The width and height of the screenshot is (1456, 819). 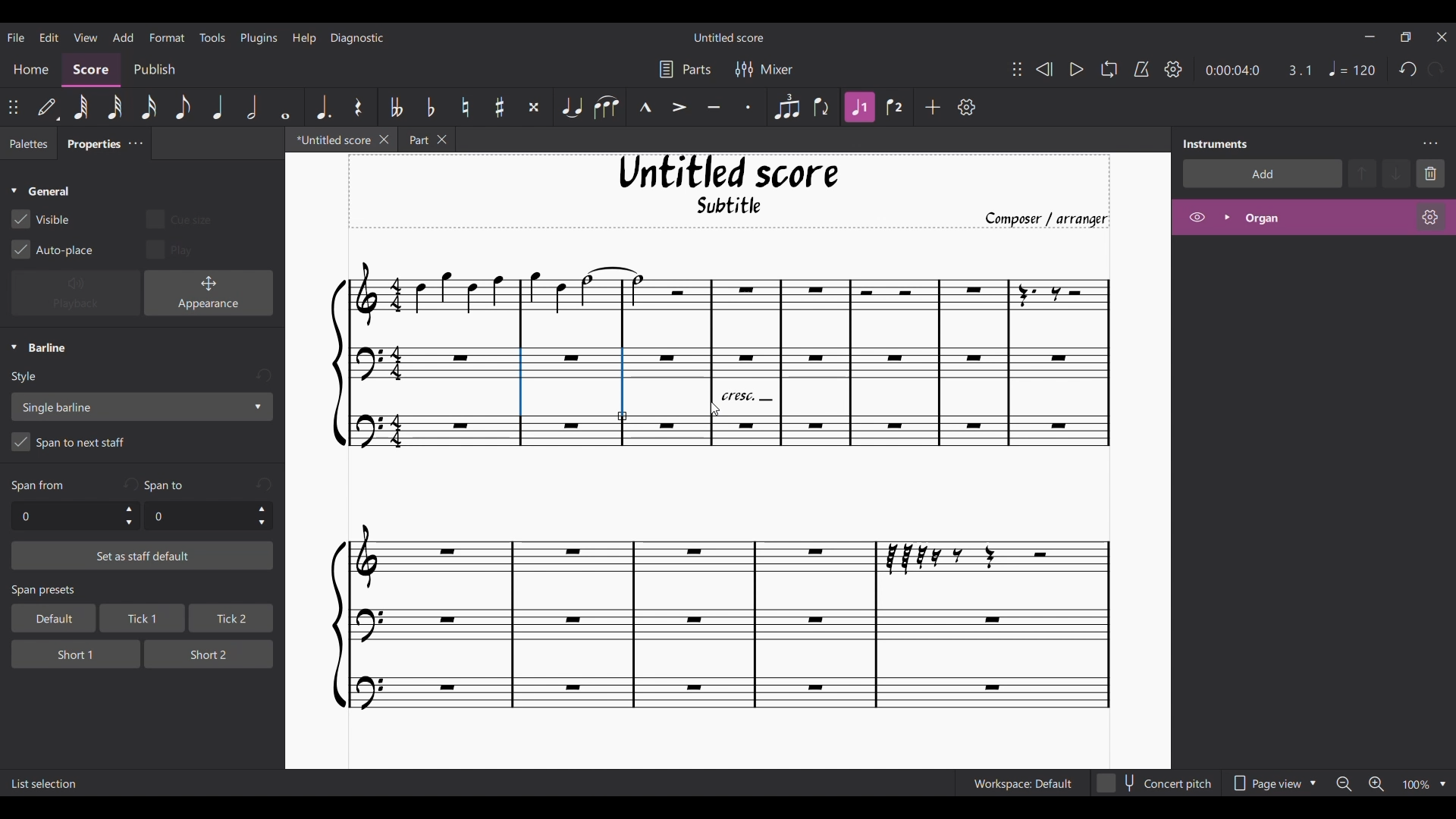 I want to click on Marcato, so click(x=645, y=108).